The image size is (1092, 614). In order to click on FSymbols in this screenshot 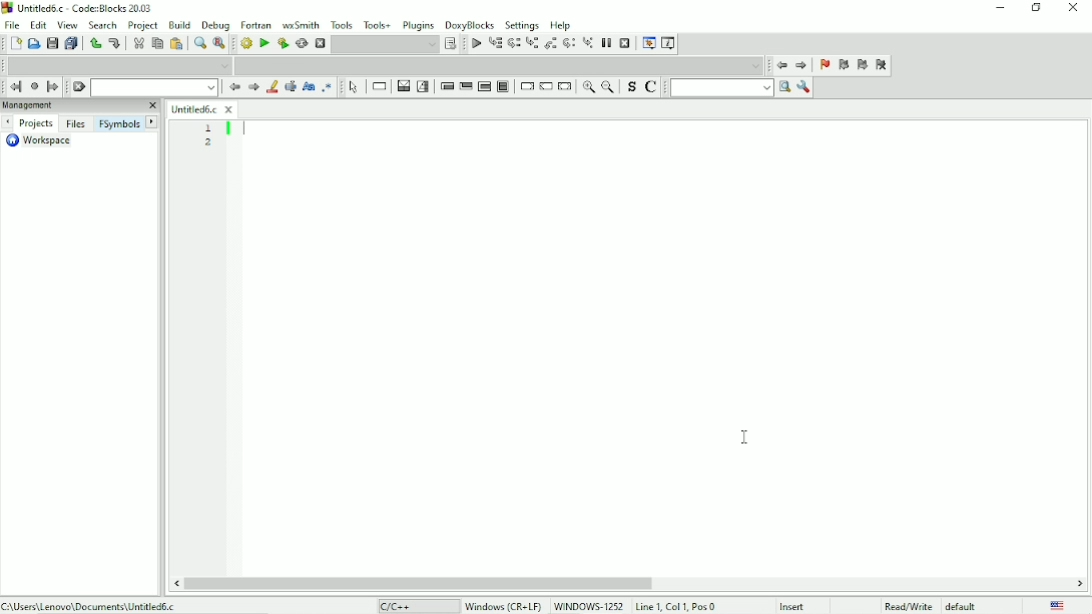, I will do `click(119, 125)`.